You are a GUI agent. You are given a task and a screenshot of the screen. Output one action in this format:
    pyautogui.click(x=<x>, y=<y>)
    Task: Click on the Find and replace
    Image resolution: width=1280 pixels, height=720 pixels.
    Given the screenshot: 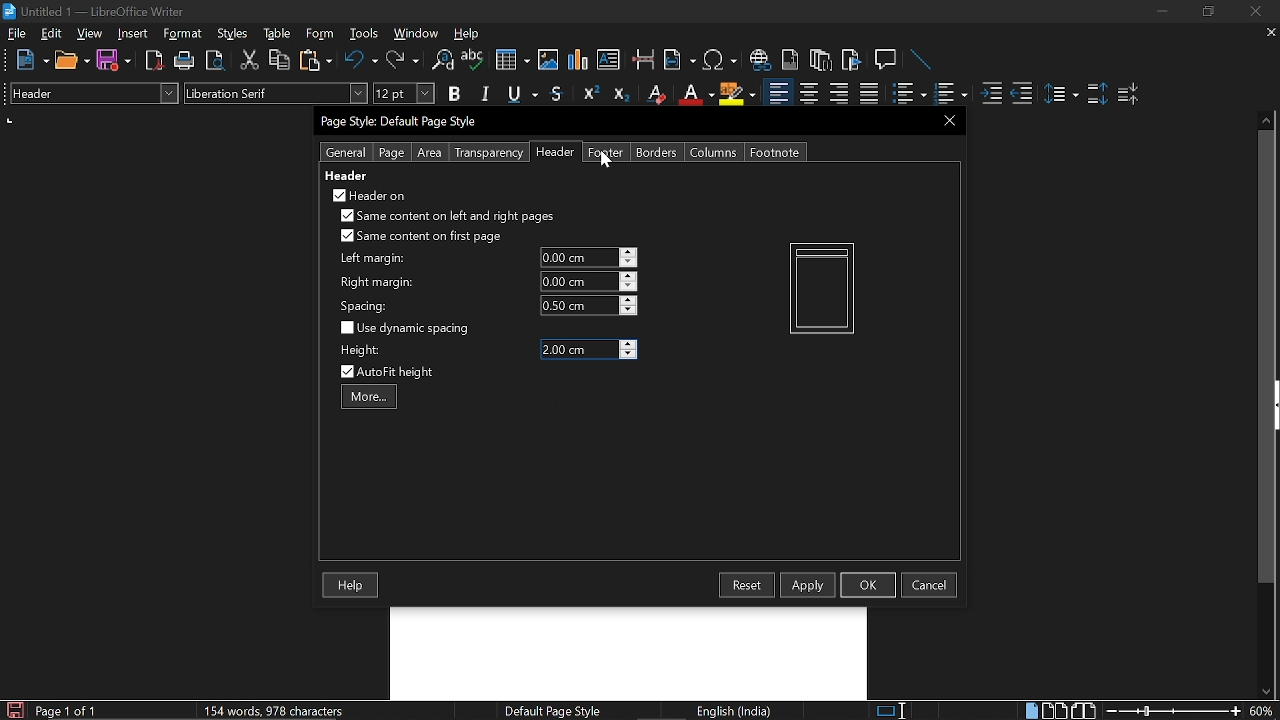 What is the action you would take?
    pyautogui.click(x=441, y=61)
    